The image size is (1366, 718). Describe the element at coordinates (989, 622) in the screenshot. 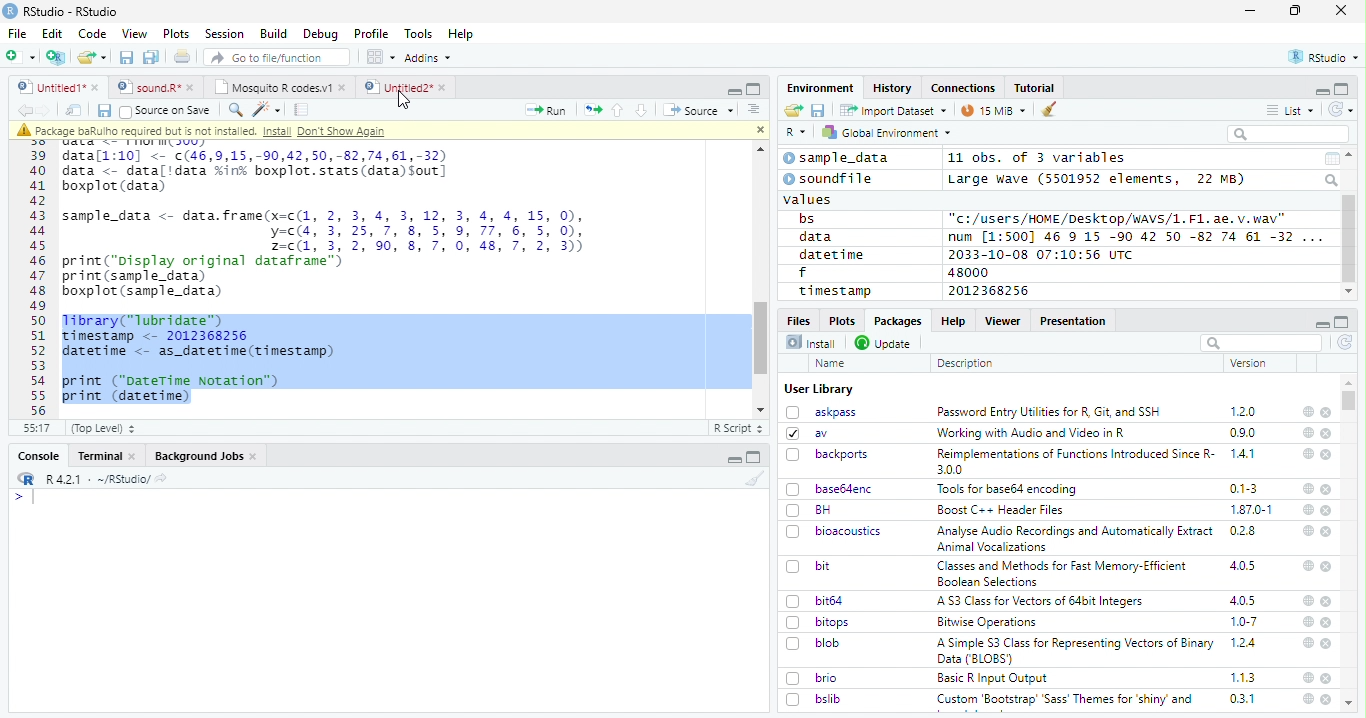

I see `Bitwise Operations` at that location.